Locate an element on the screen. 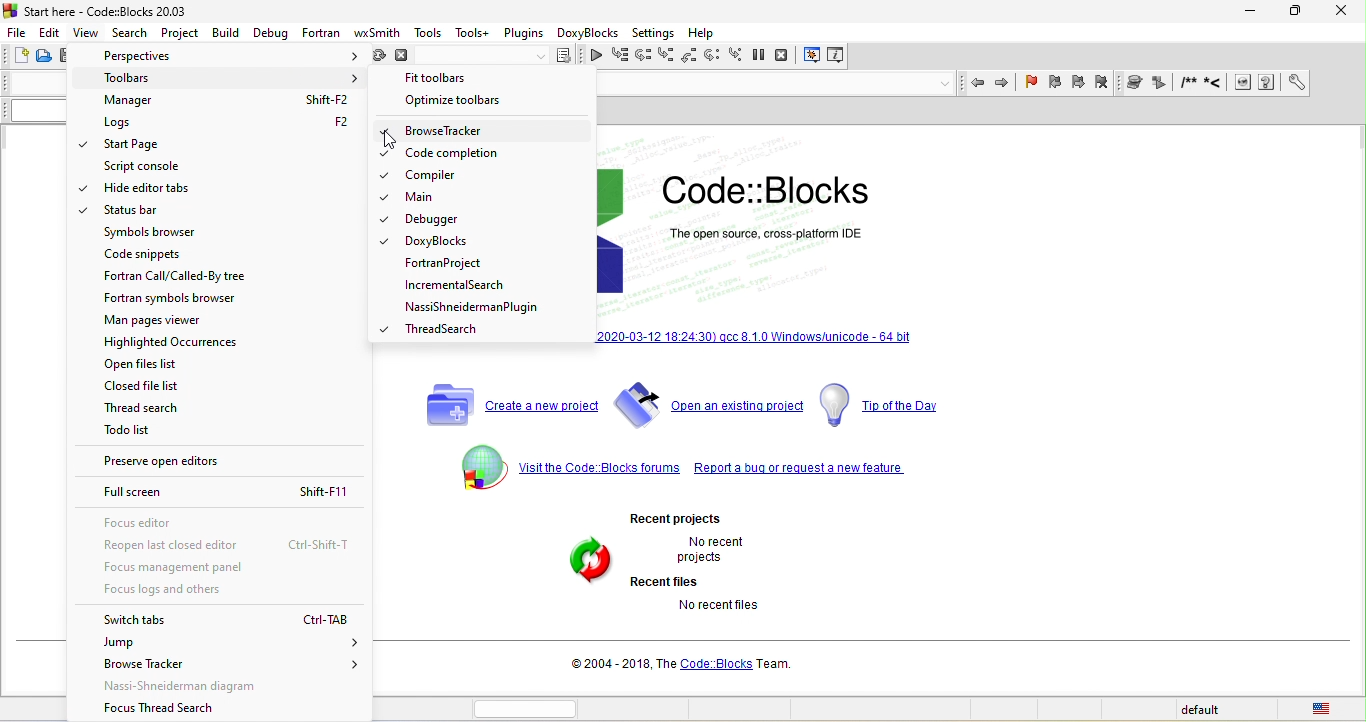  script console is located at coordinates (146, 168).